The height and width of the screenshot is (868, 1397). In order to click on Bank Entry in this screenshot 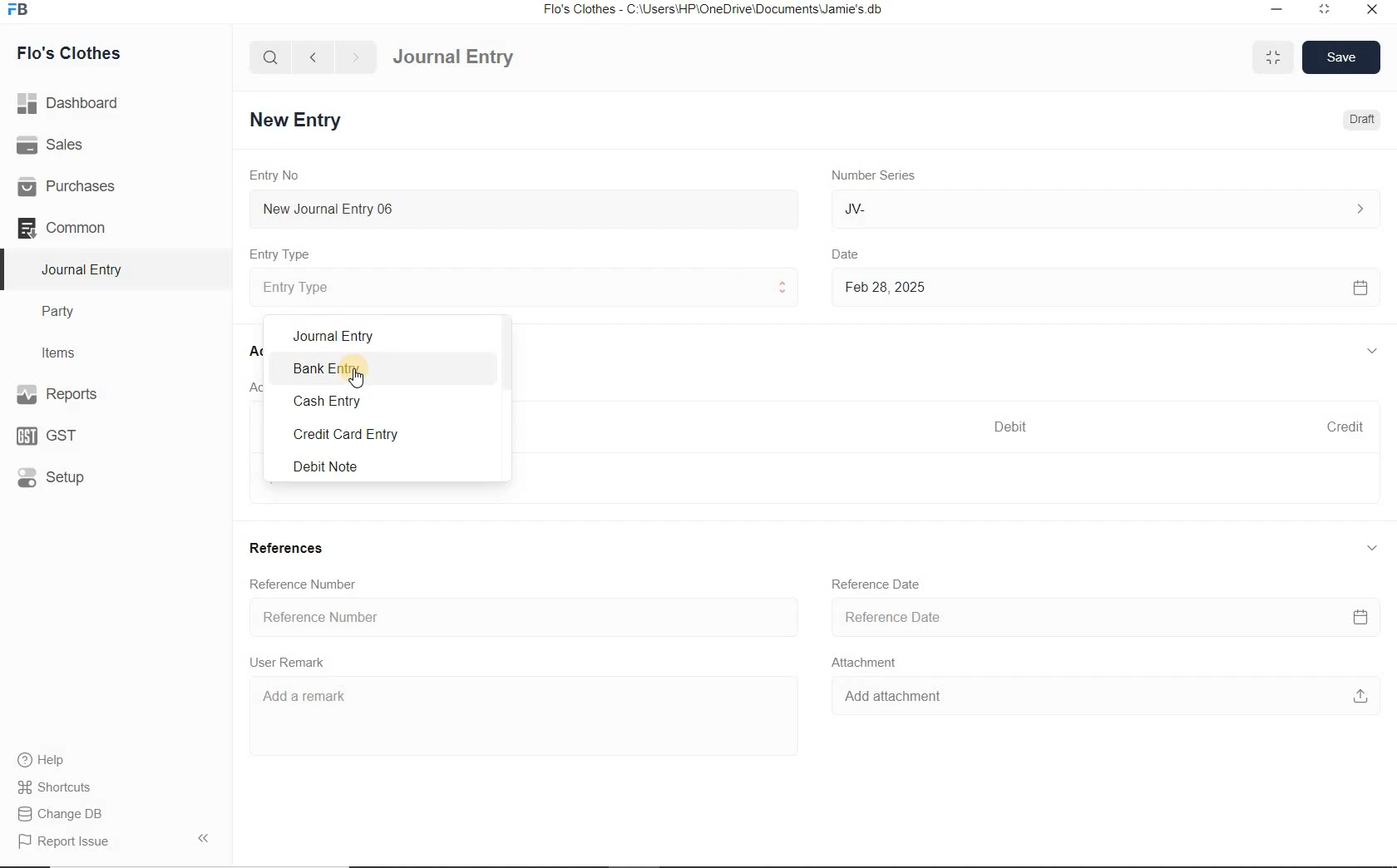, I will do `click(354, 368)`.